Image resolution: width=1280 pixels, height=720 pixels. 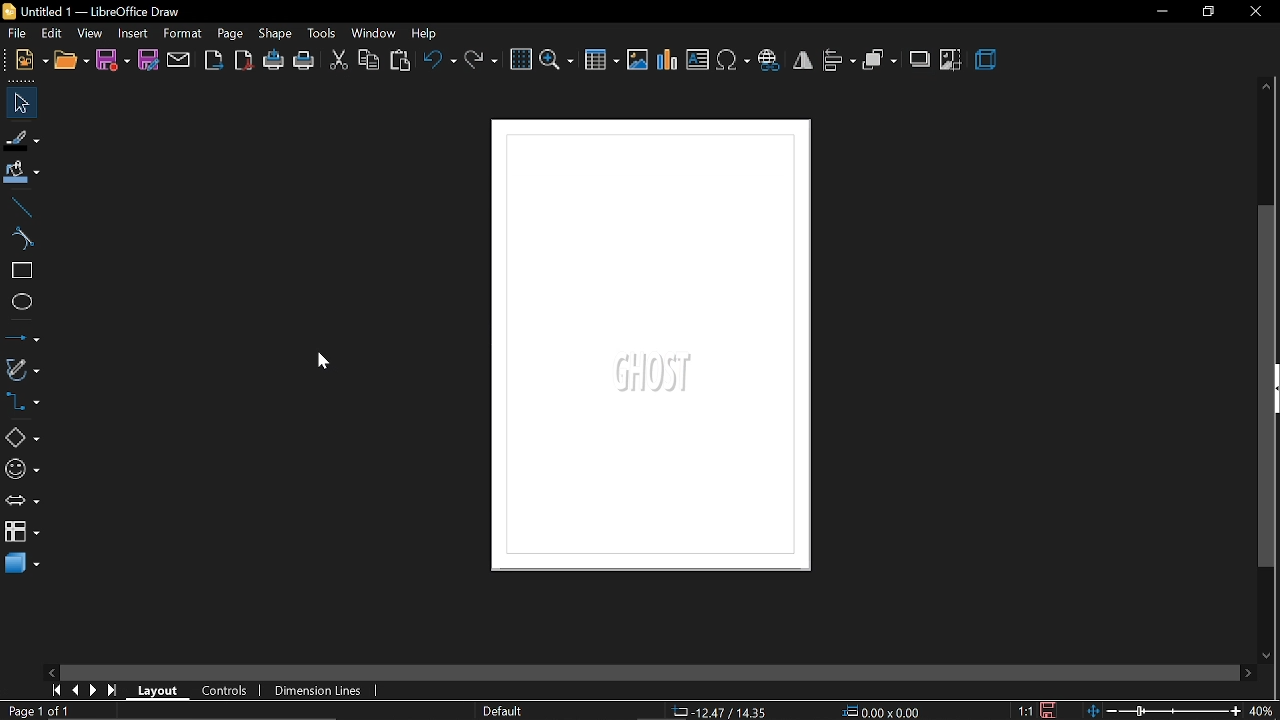 What do you see at coordinates (338, 61) in the screenshot?
I see `cut ` at bounding box center [338, 61].